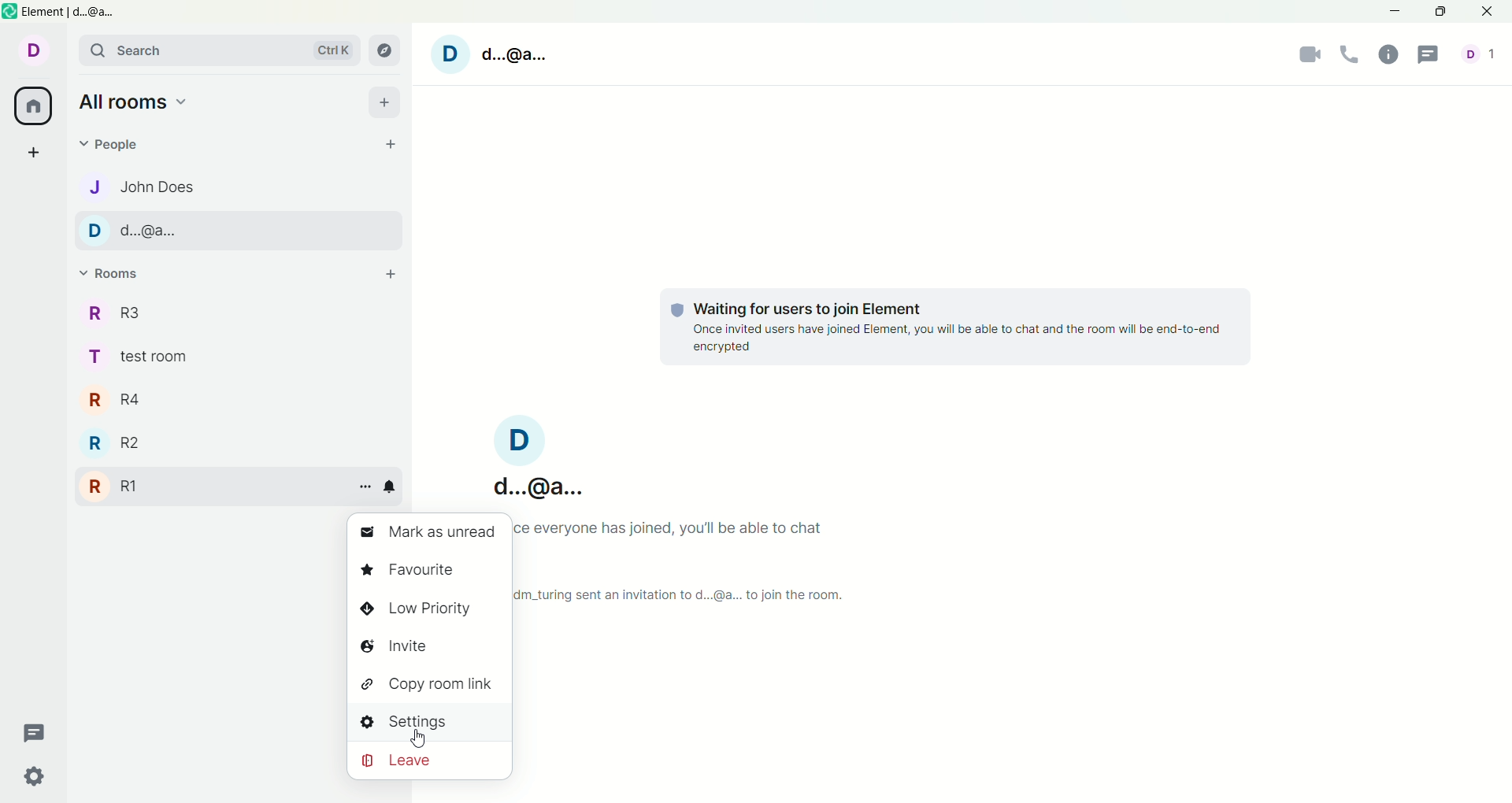 Image resolution: width=1512 pixels, height=803 pixels. Describe the element at coordinates (147, 361) in the screenshot. I see `t test room` at that location.